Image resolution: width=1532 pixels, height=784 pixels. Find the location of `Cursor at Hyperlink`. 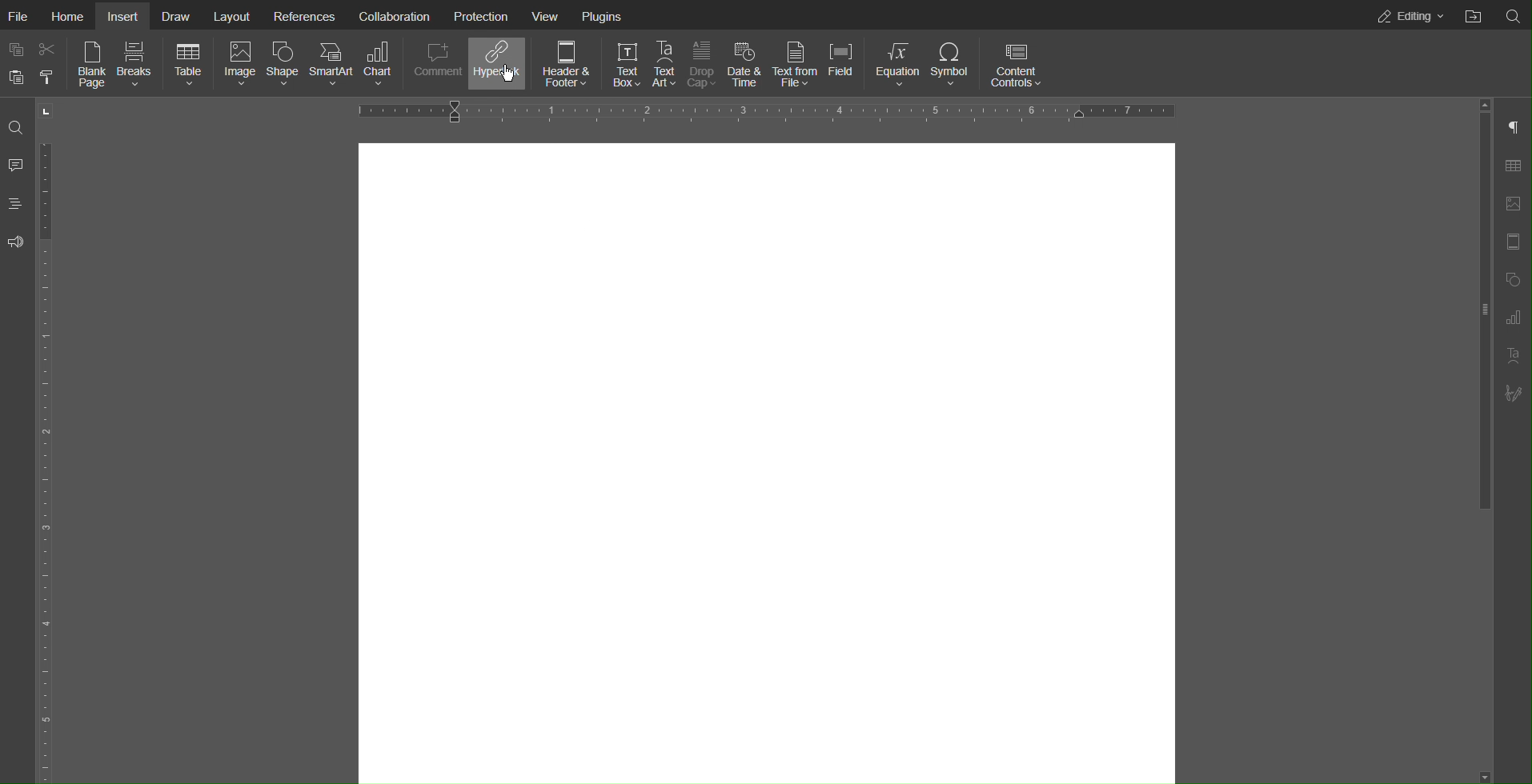

Cursor at Hyperlink is located at coordinates (509, 73).